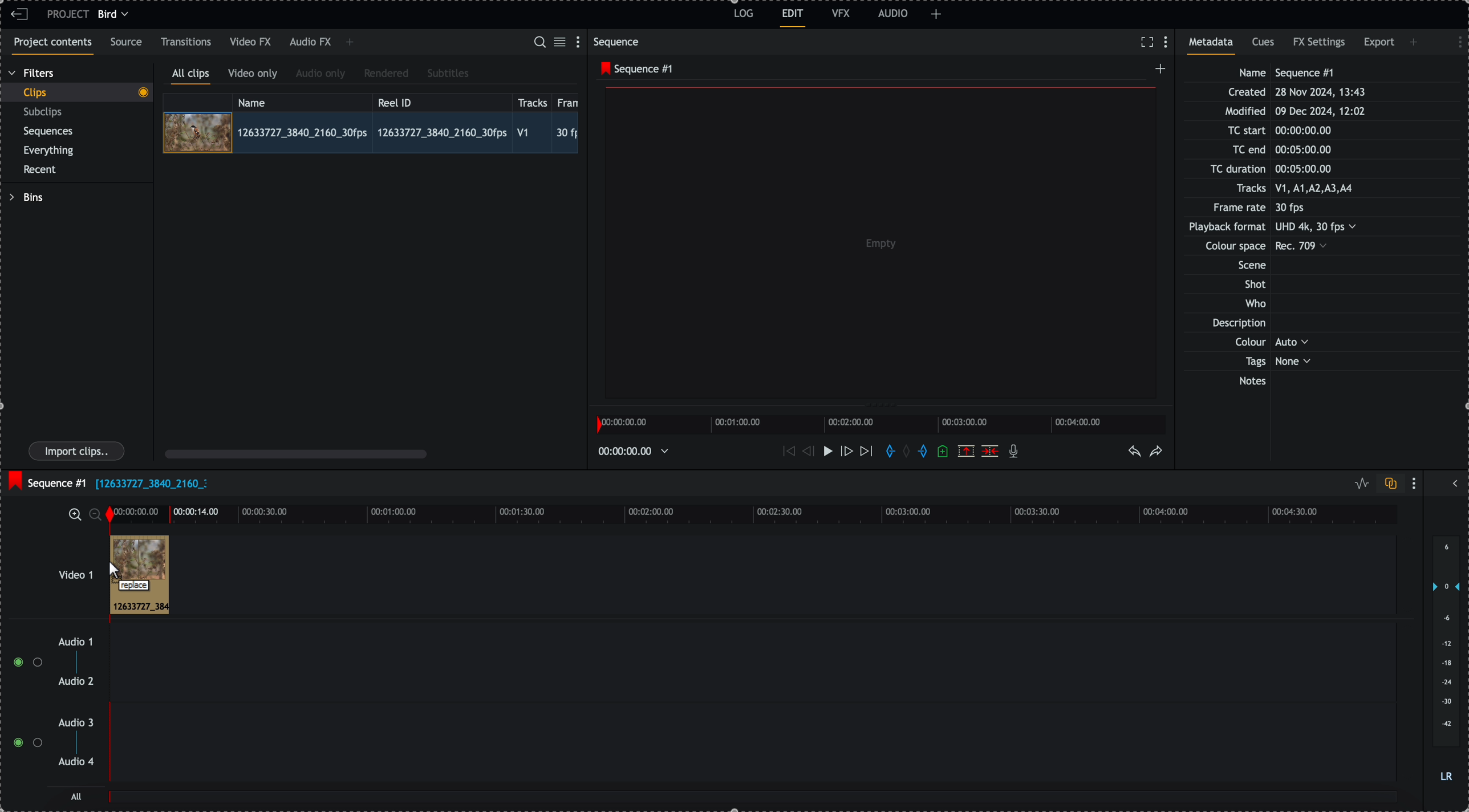 This screenshot has width=1469, height=812. Describe the element at coordinates (944, 452) in the screenshot. I see `add a cue at the current position` at that location.